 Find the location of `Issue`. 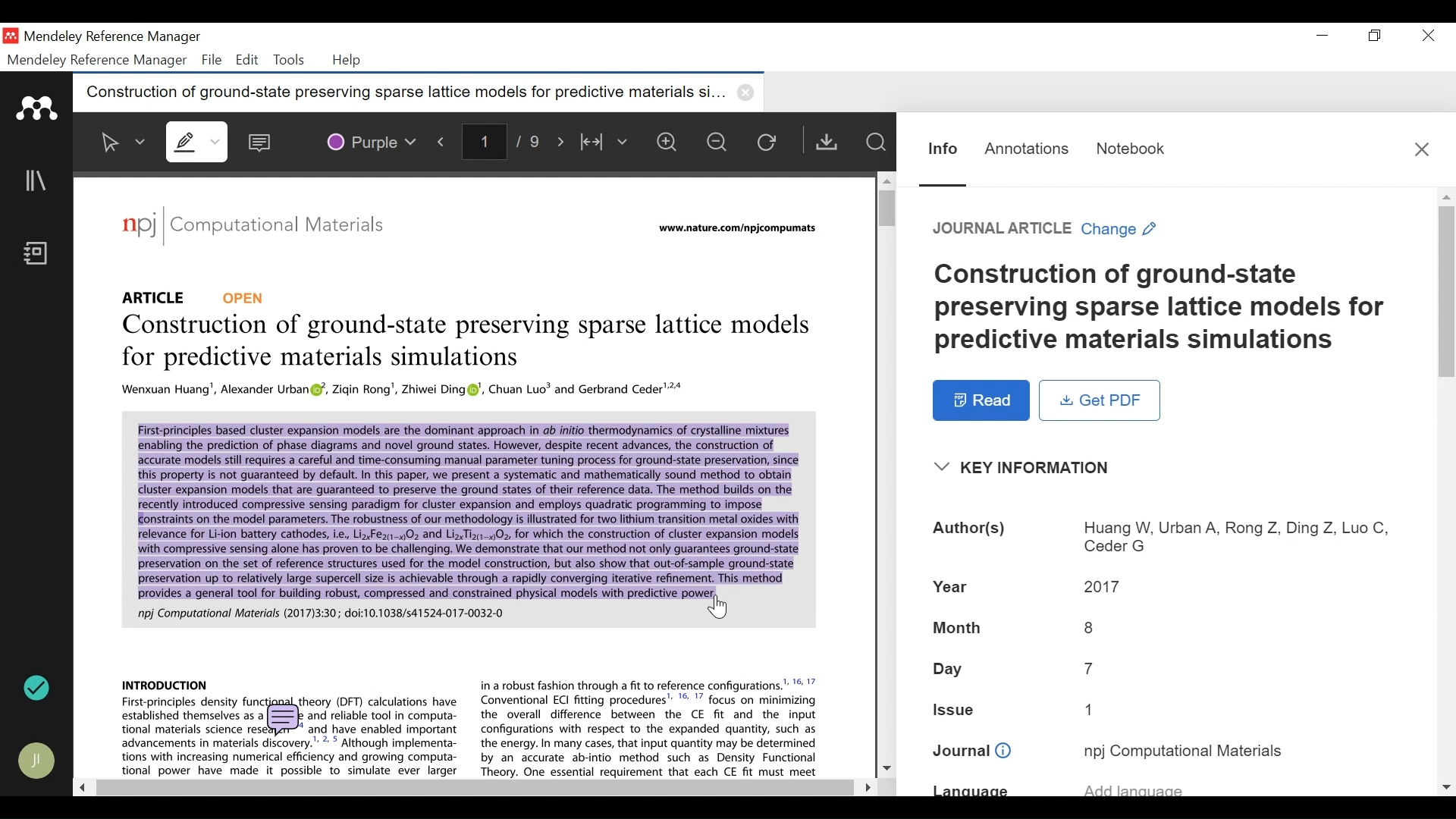

Issue is located at coordinates (1095, 708).